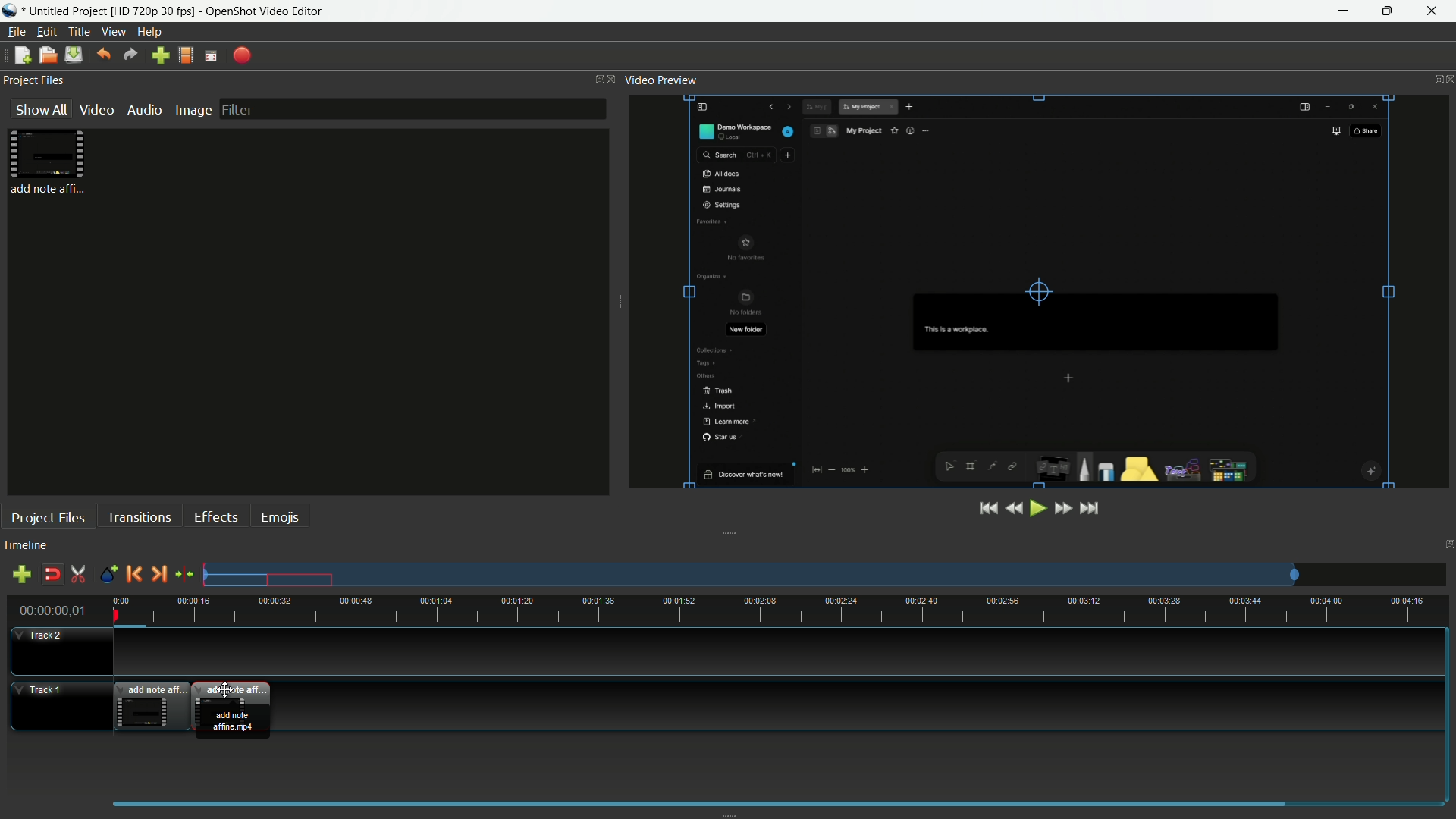  Describe the element at coordinates (1012, 509) in the screenshot. I see `rewind` at that location.